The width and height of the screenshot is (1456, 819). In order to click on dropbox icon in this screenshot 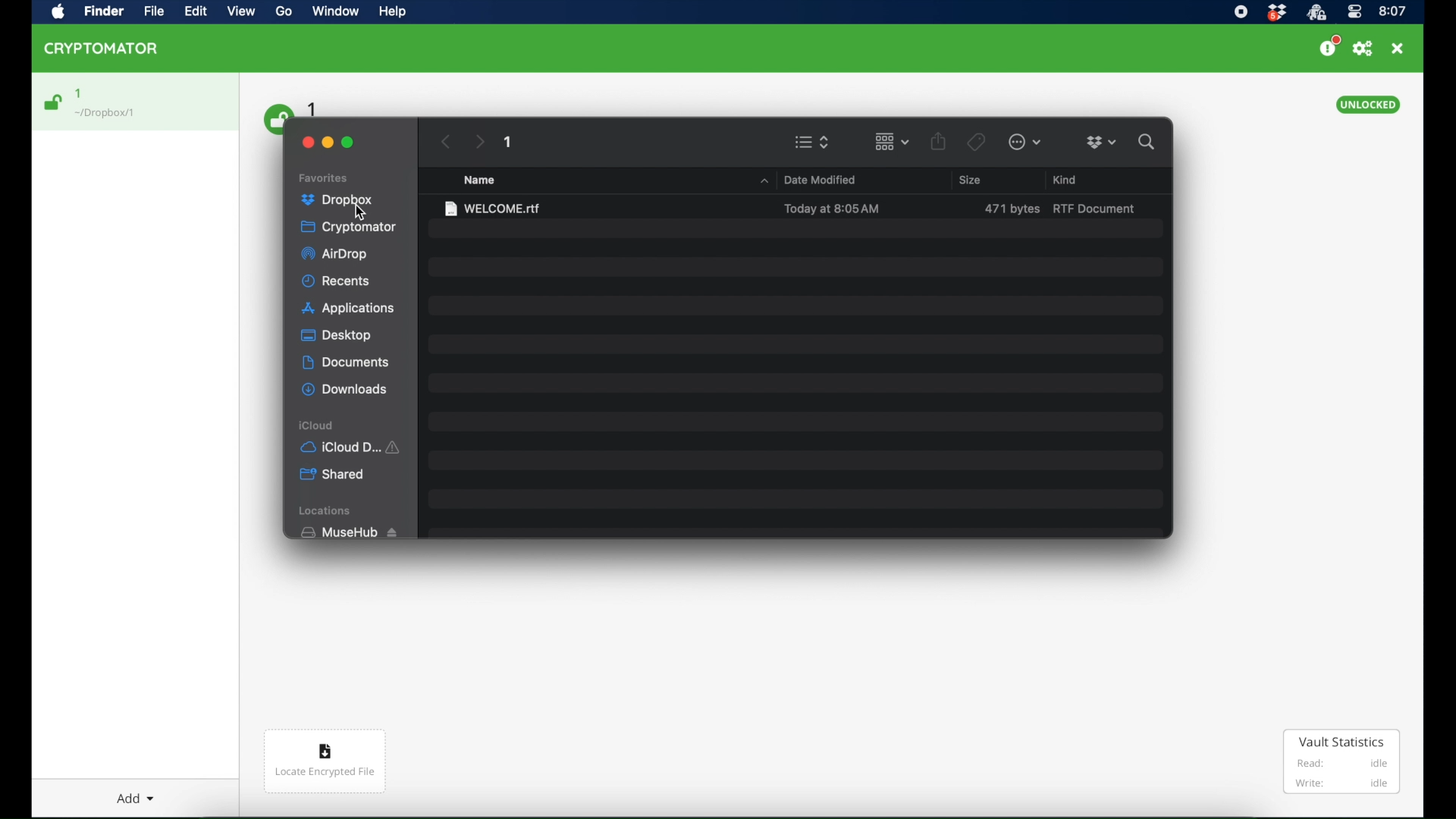, I will do `click(1276, 13)`.